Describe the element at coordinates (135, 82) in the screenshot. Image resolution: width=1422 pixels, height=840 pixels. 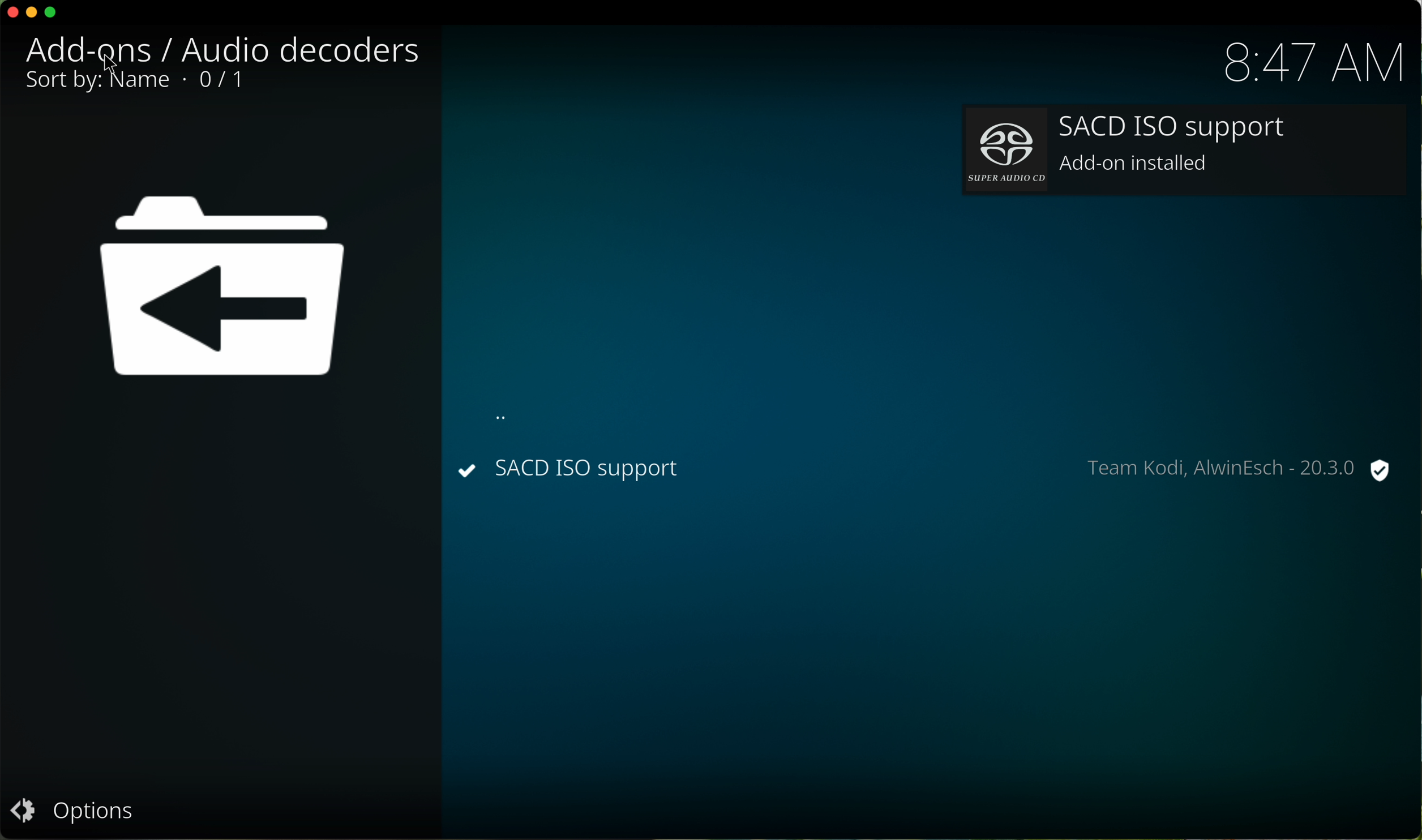
I see `0/1` at that location.